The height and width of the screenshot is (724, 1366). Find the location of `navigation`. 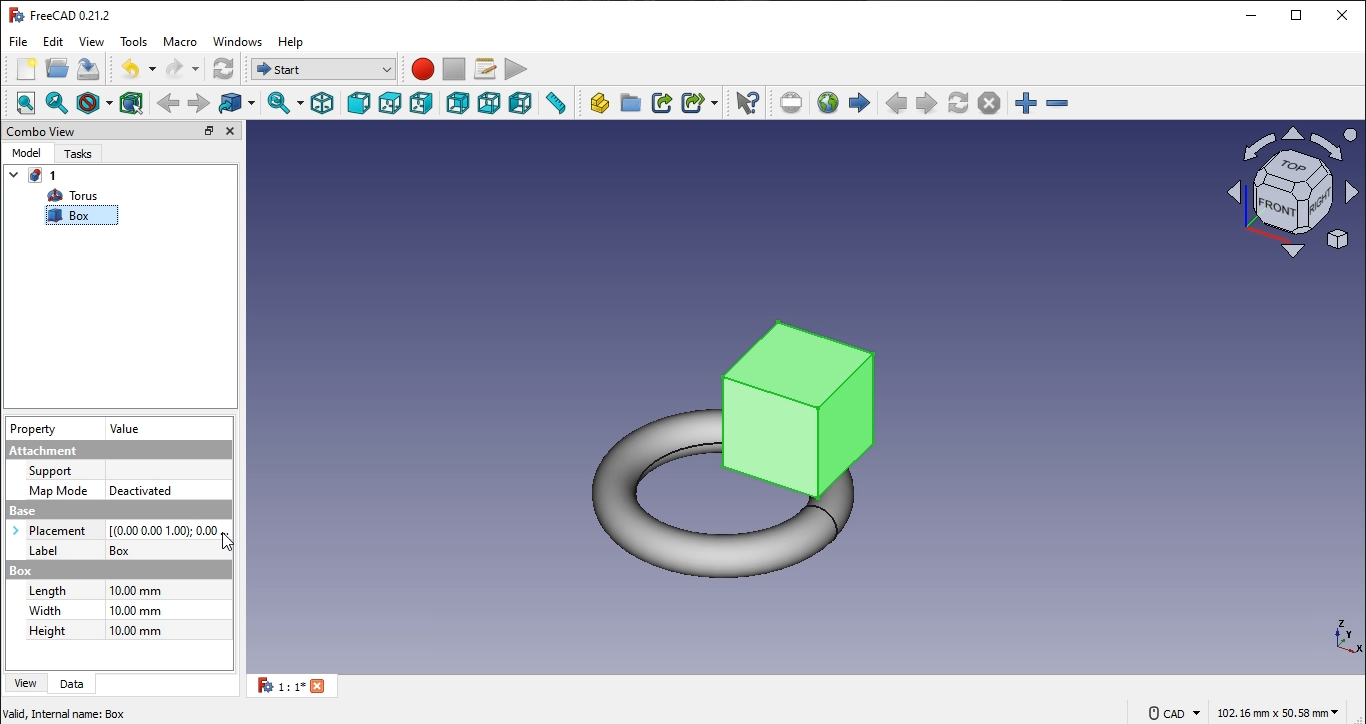

navigation is located at coordinates (231, 542).